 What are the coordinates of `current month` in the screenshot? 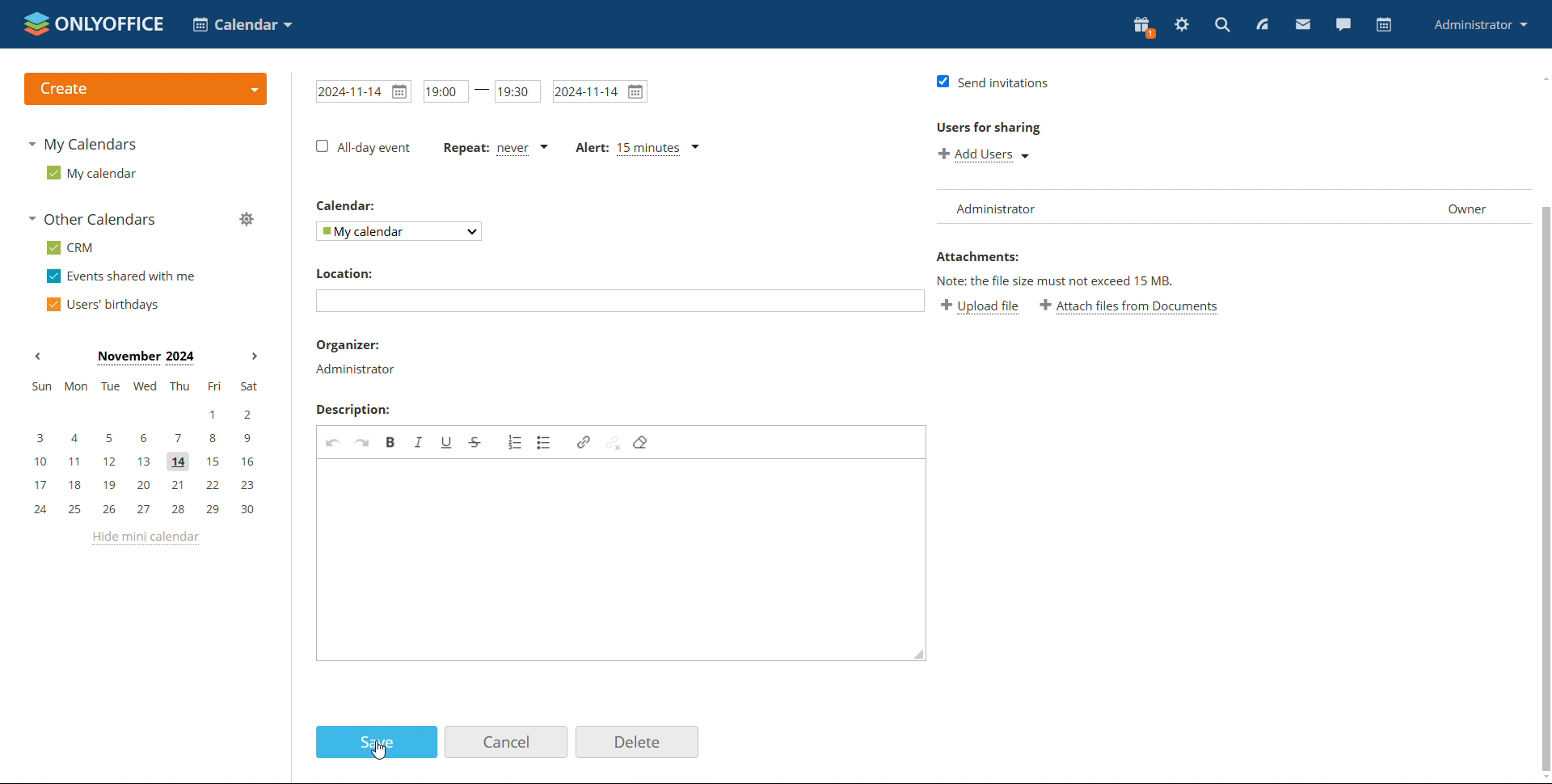 It's located at (145, 358).